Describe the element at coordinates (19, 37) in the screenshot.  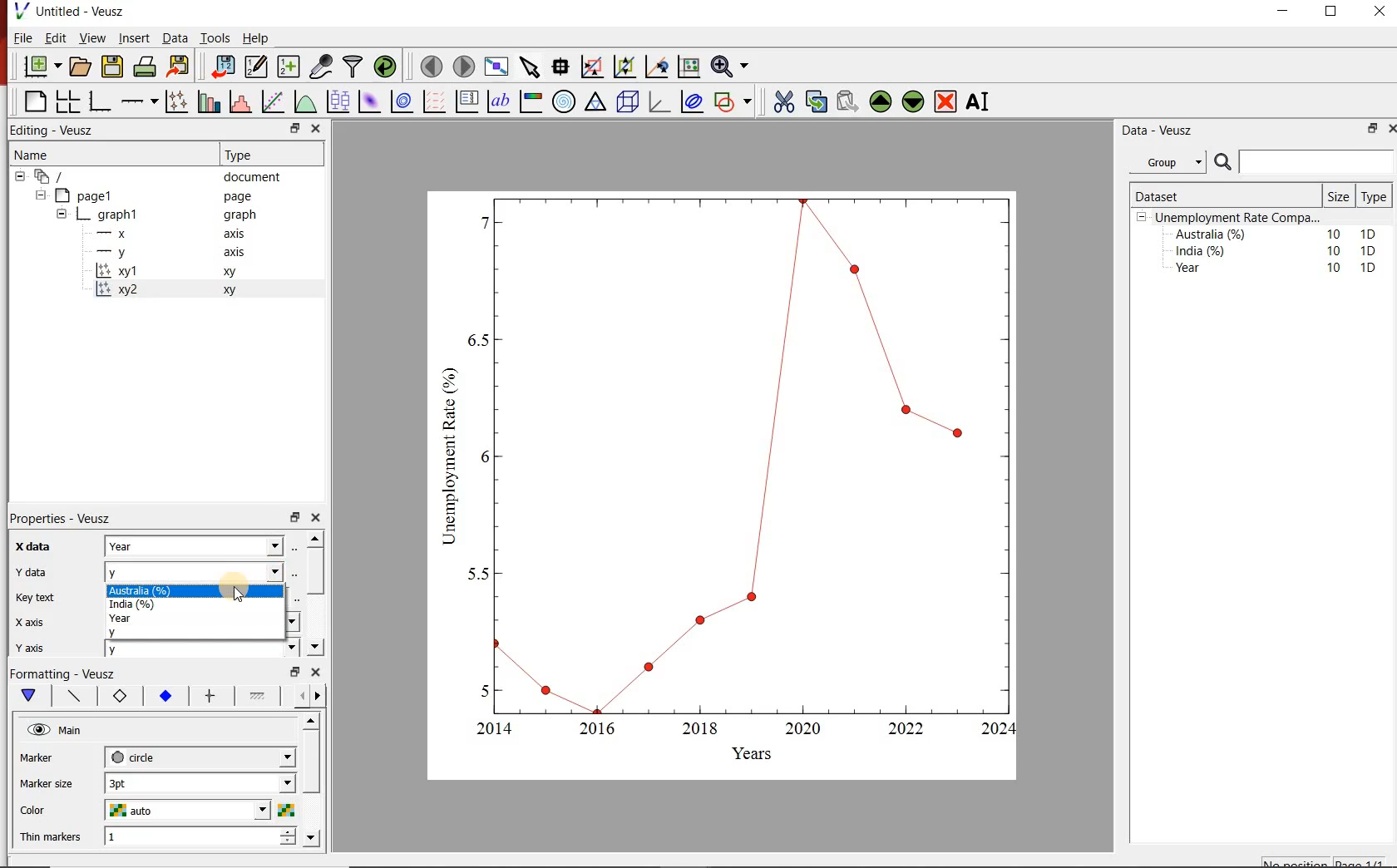
I see `| File` at that location.